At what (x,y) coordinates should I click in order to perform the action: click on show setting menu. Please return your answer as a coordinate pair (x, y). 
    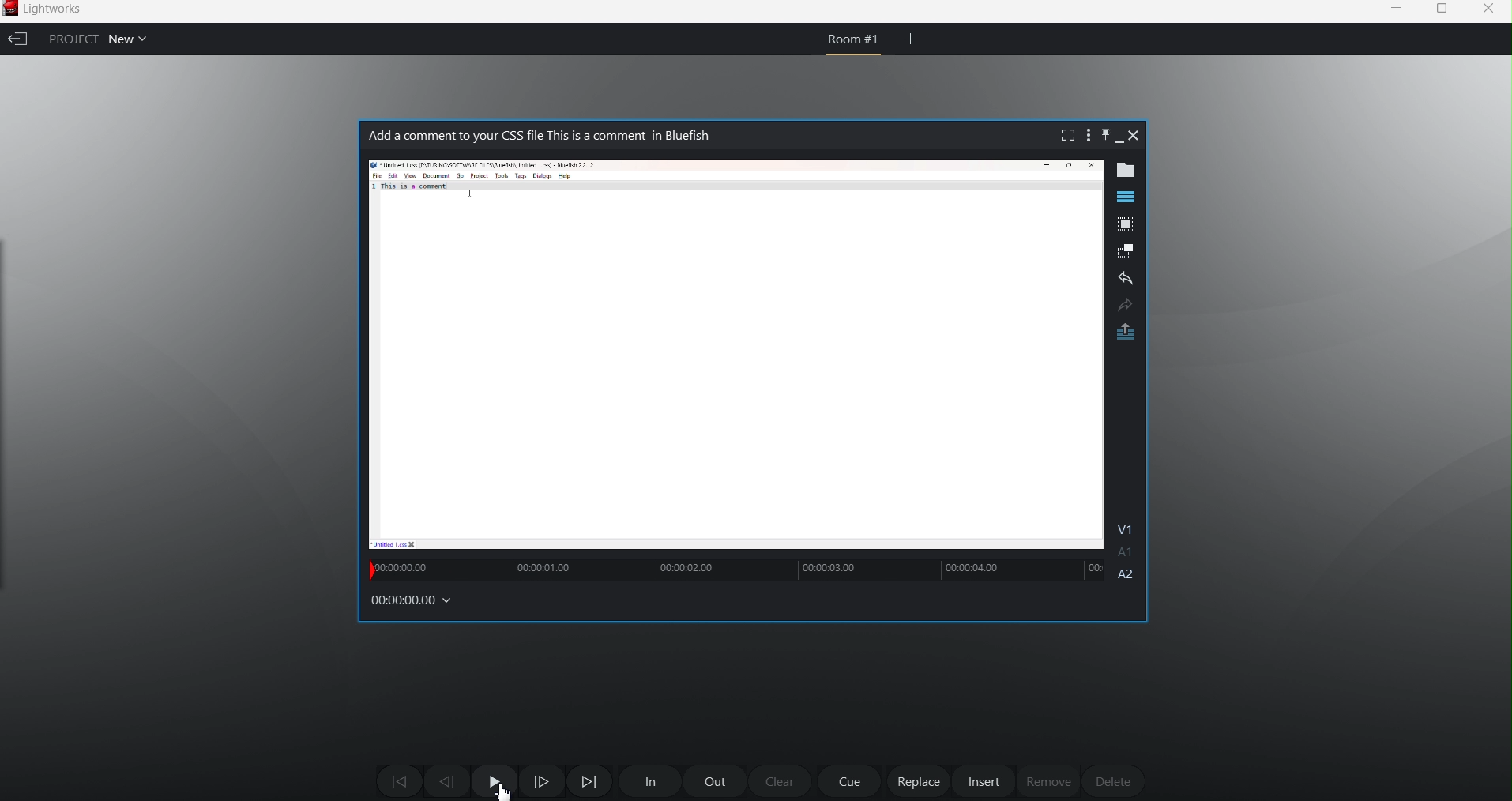
    Looking at the image, I should click on (1086, 135).